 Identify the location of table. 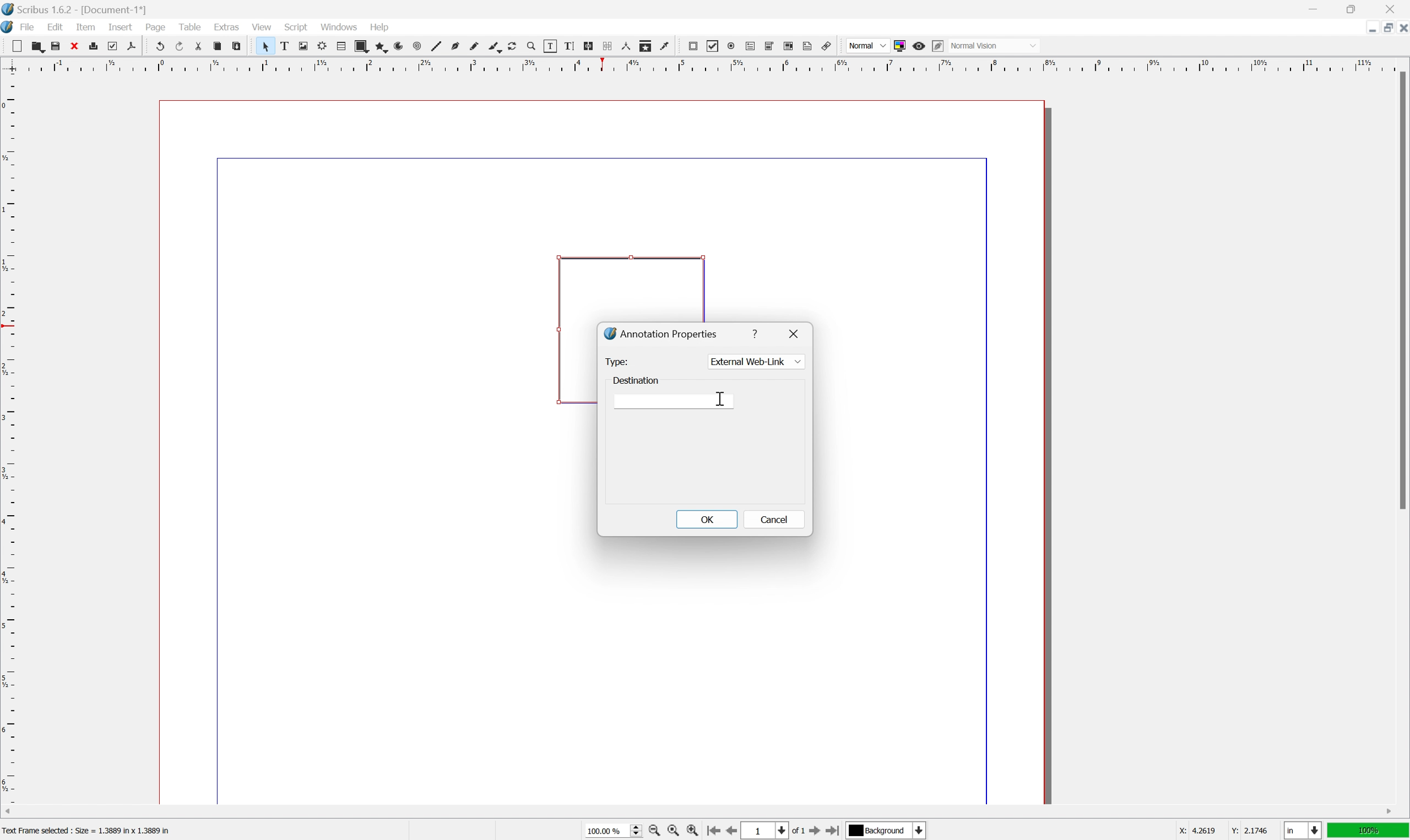
(189, 25).